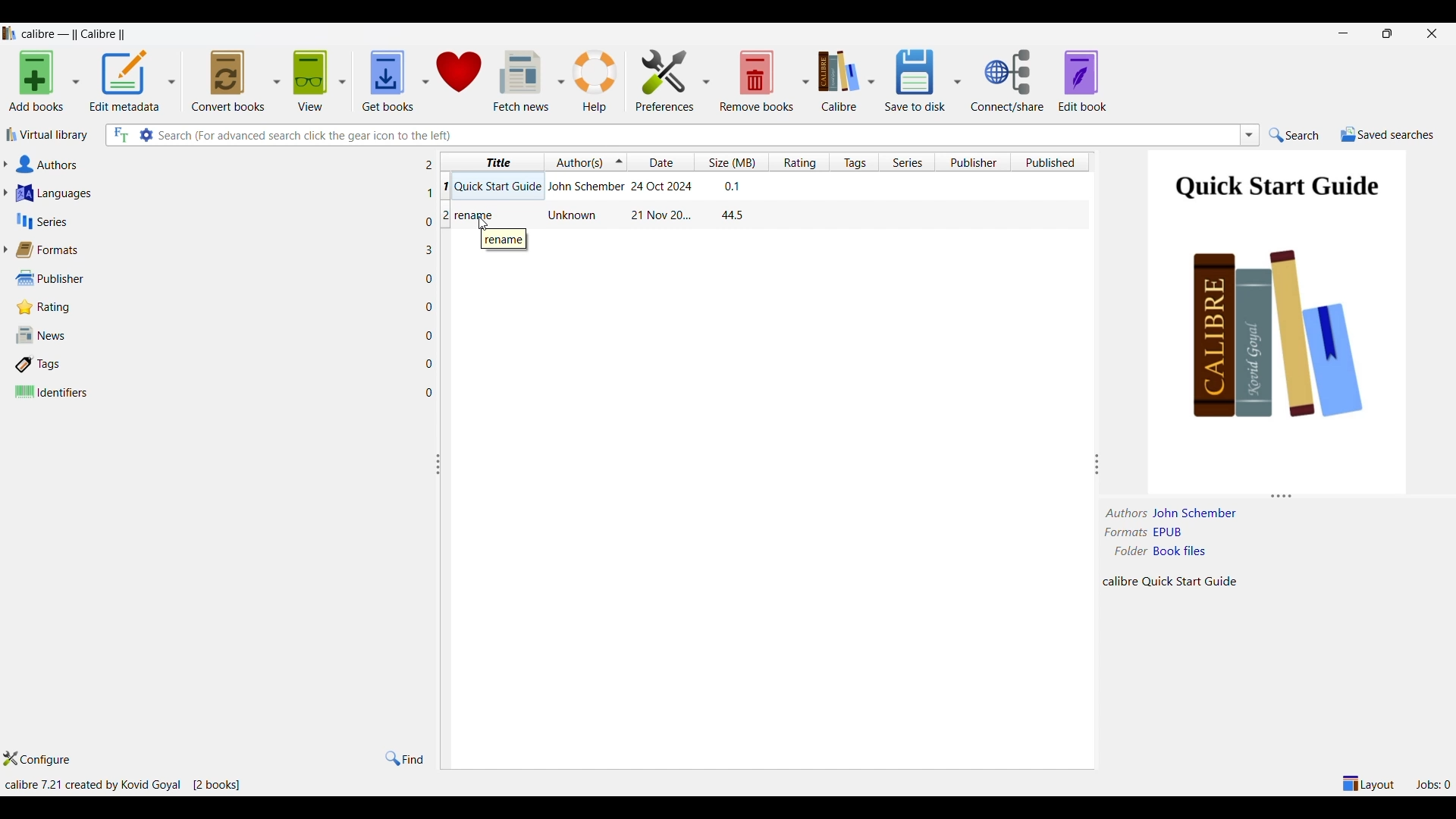 Image resolution: width=1456 pixels, height=819 pixels. Describe the element at coordinates (907, 162) in the screenshot. I see `Series column` at that location.